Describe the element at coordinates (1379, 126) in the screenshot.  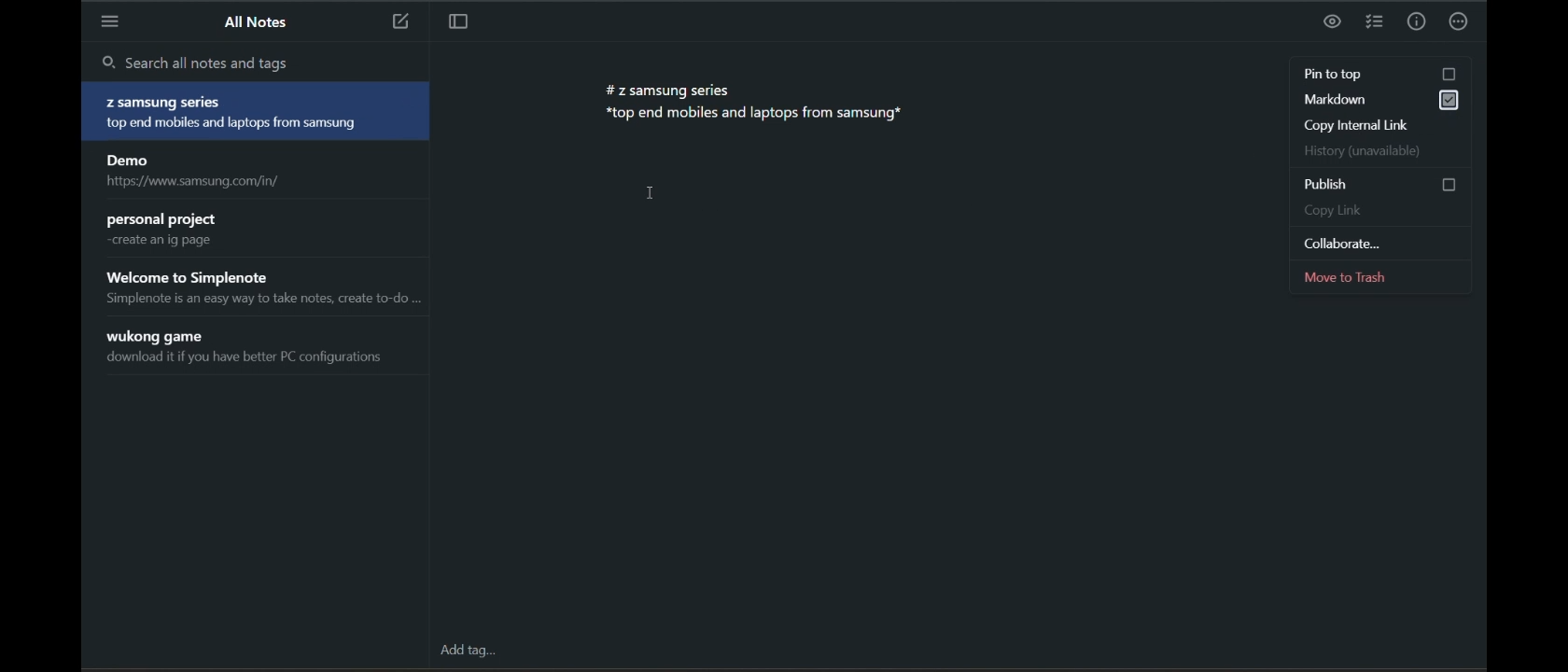
I see `copy internal link` at that location.